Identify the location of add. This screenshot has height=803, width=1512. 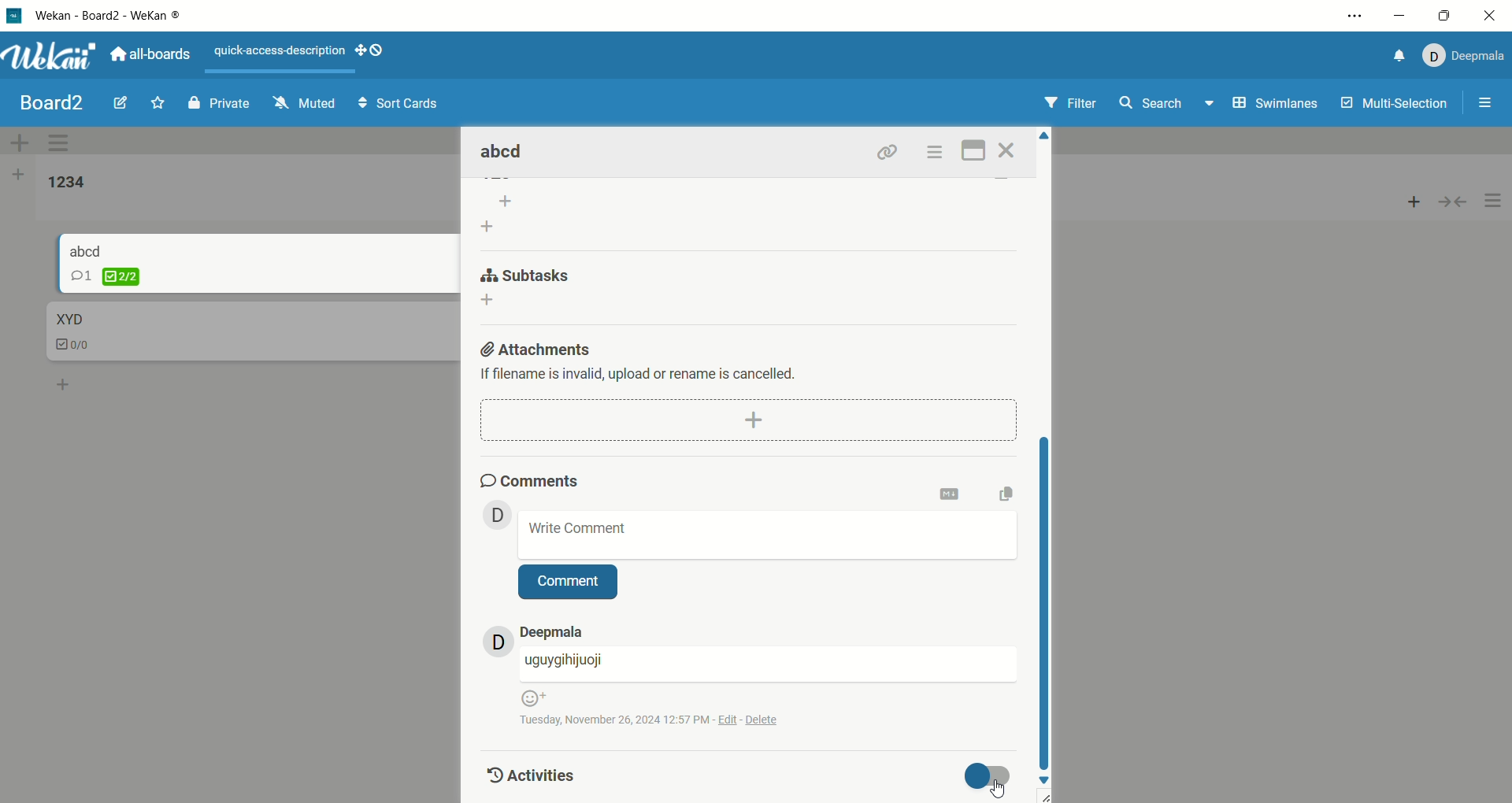
(493, 302).